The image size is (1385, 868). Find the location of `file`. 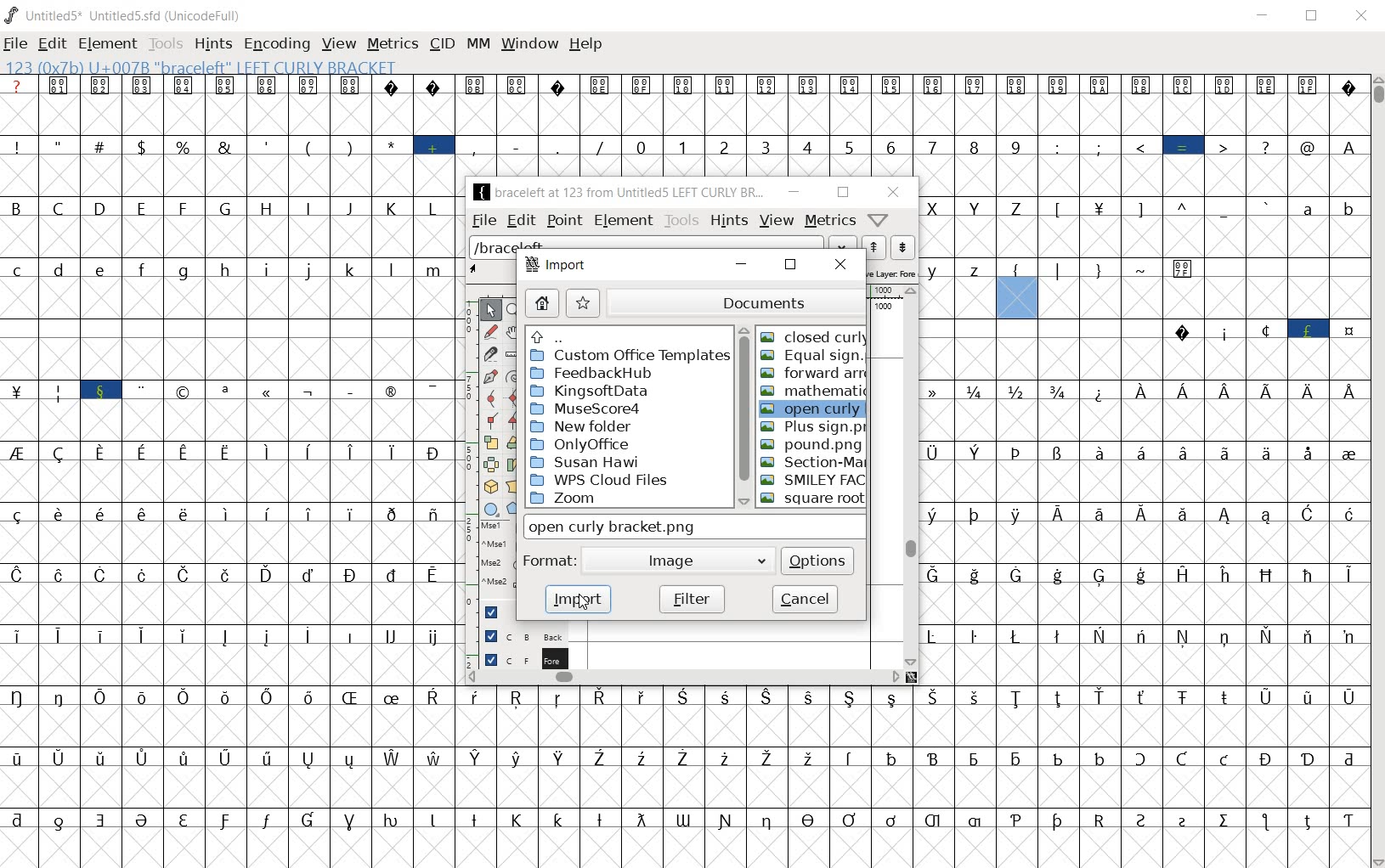

file is located at coordinates (485, 220).